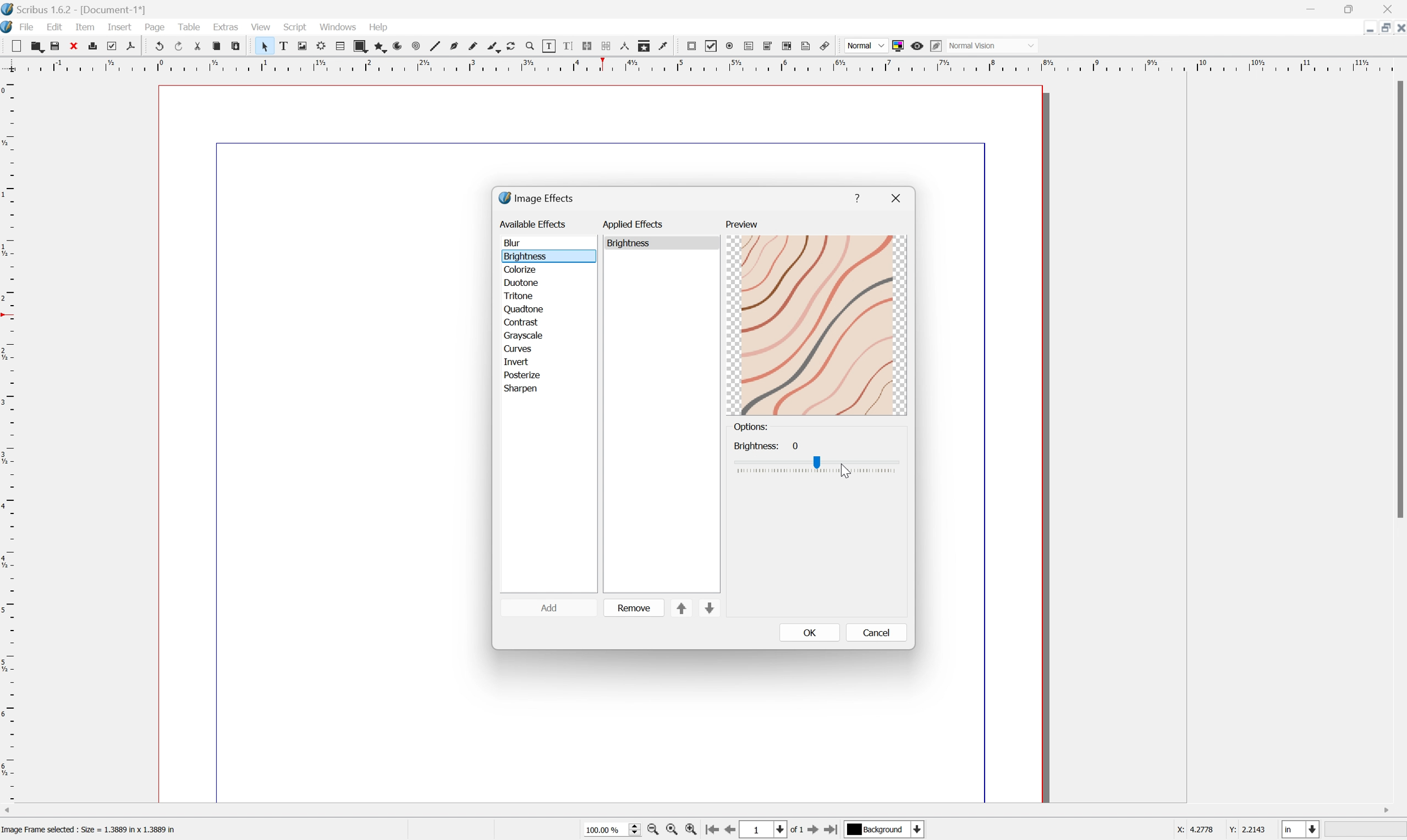 This screenshot has height=840, width=1407. Describe the element at coordinates (362, 45) in the screenshot. I see `Shape` at that location.